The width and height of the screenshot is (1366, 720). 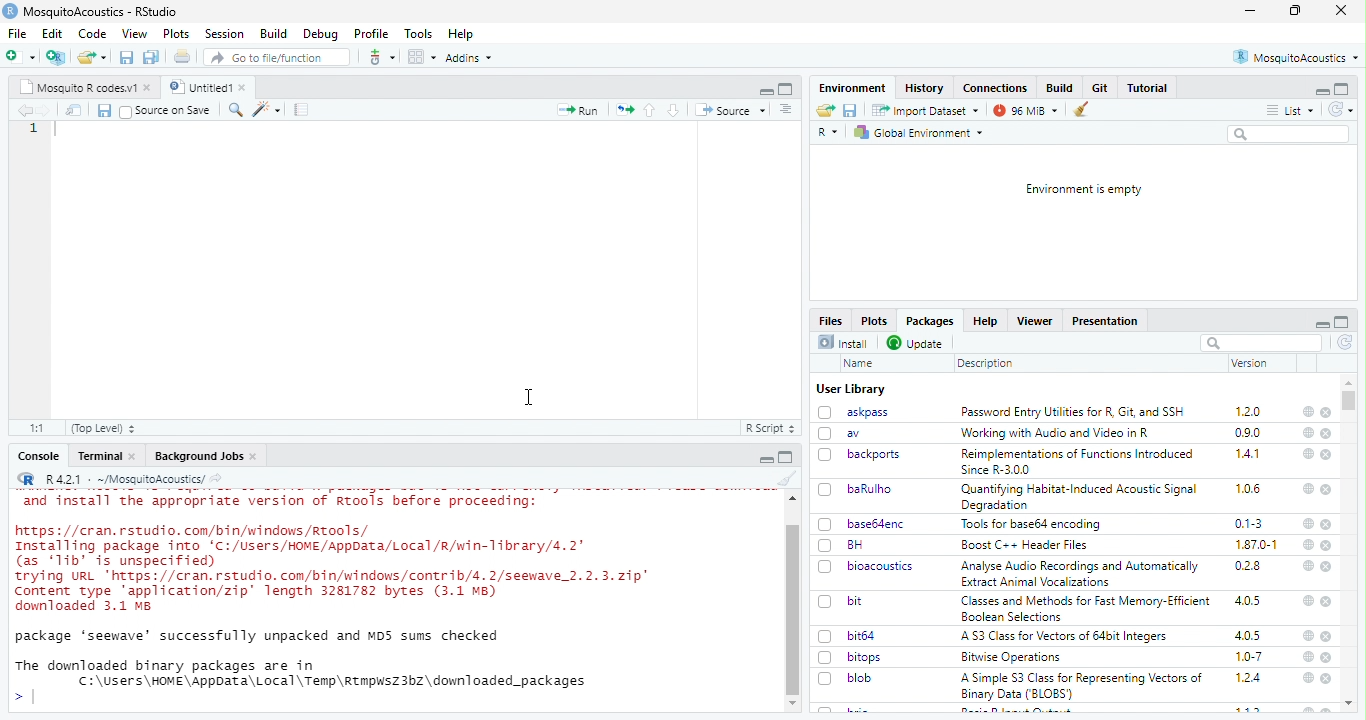 I want to click on R42.1 - ~/MosquitoAcoustics/, so click(x=123, y=479).